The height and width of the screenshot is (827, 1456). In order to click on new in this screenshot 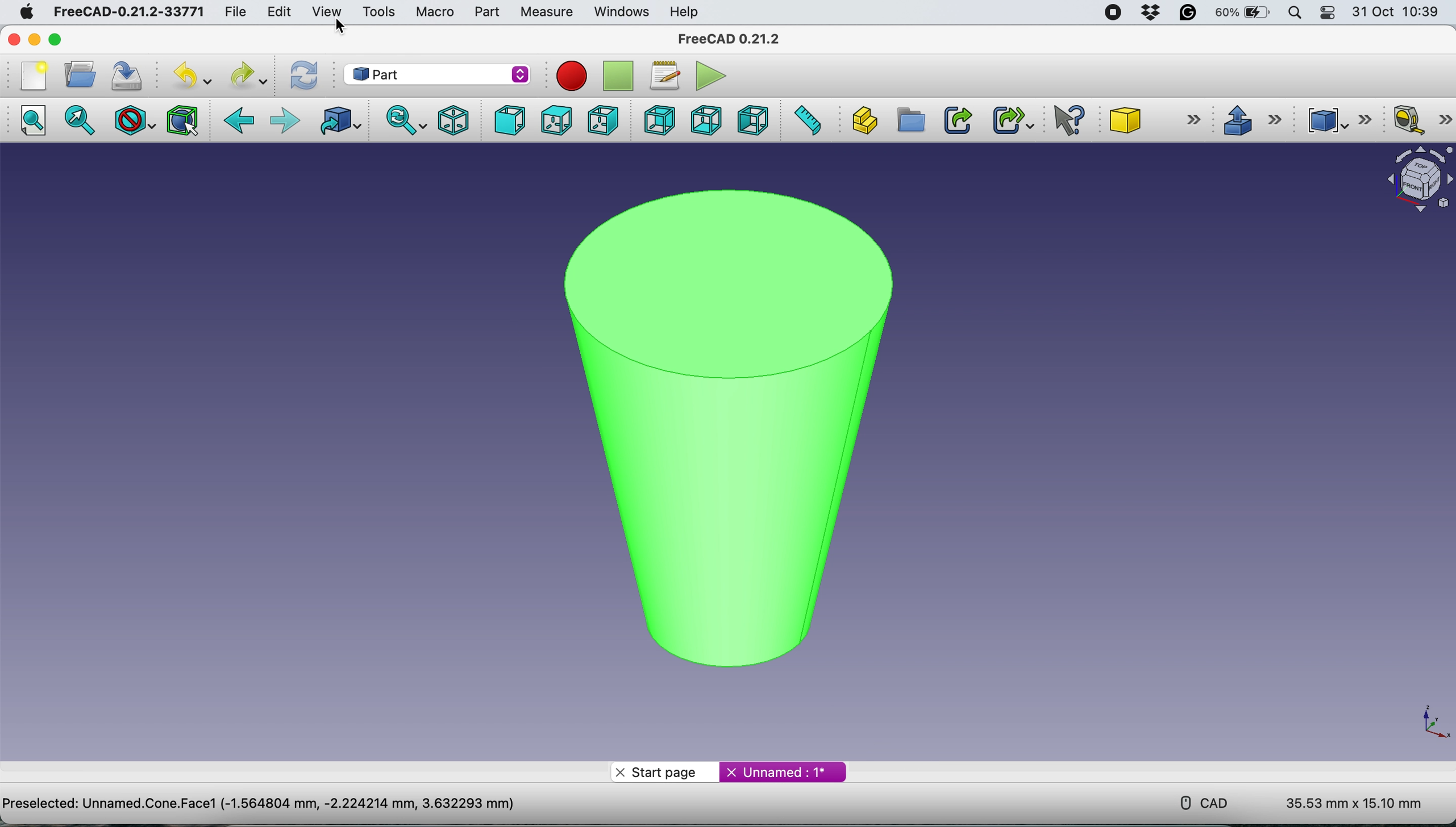, I will do `click(30, 75)`.